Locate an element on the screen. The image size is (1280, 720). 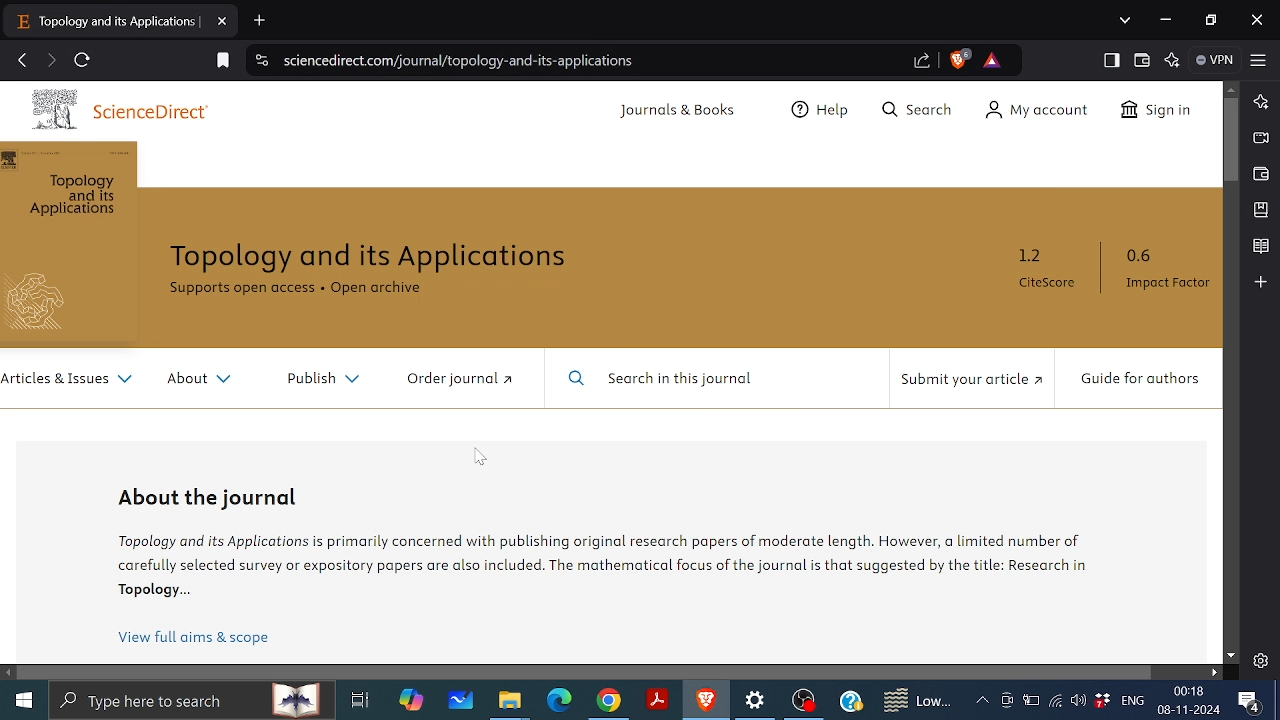
topology and its applications is located at coordinates (108, 26).